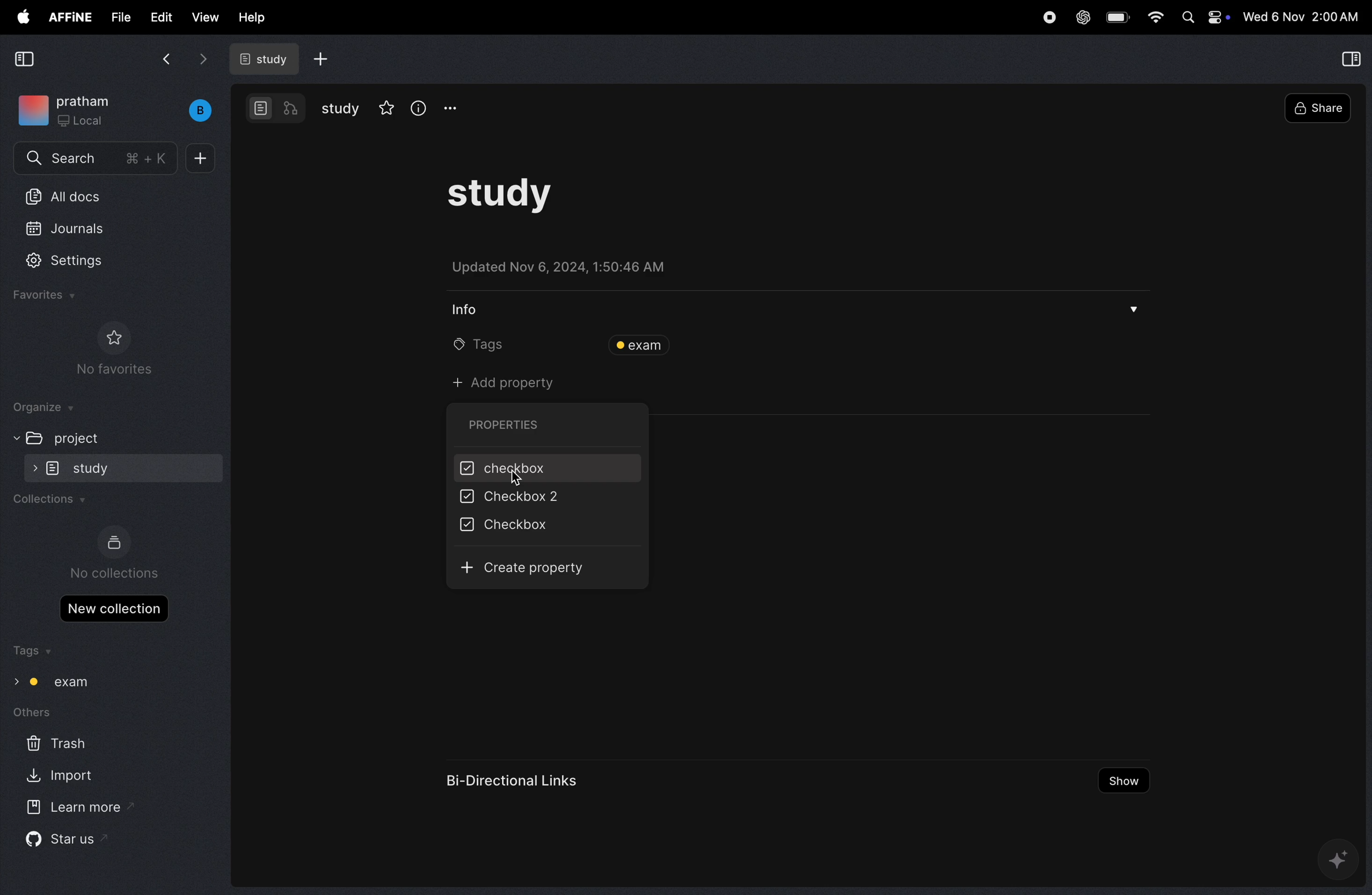 This screenshot has height=895, width=1372. I want to click on share, so click(1317, 106).